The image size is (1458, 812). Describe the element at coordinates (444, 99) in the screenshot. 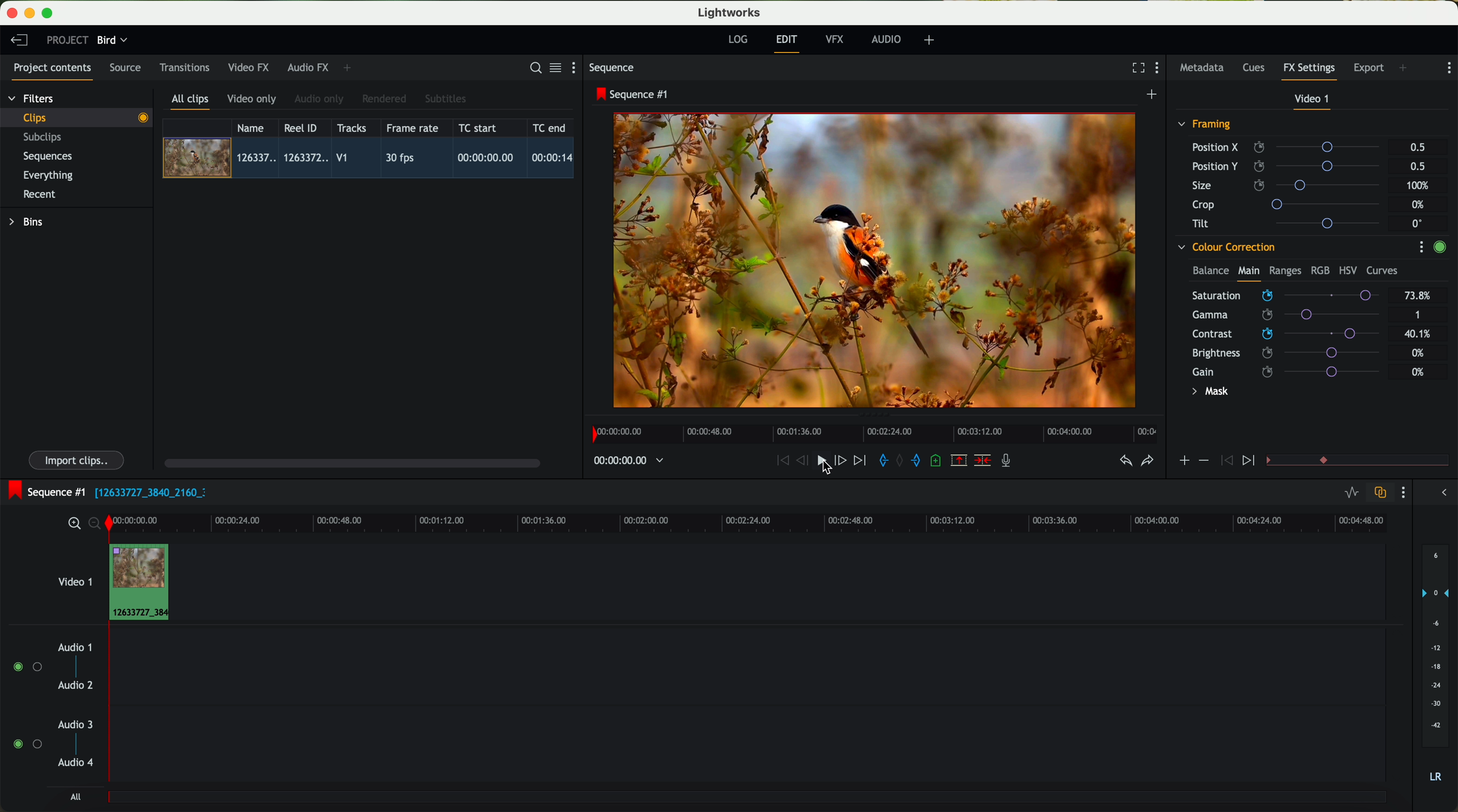

I see `subtitles` at that location.